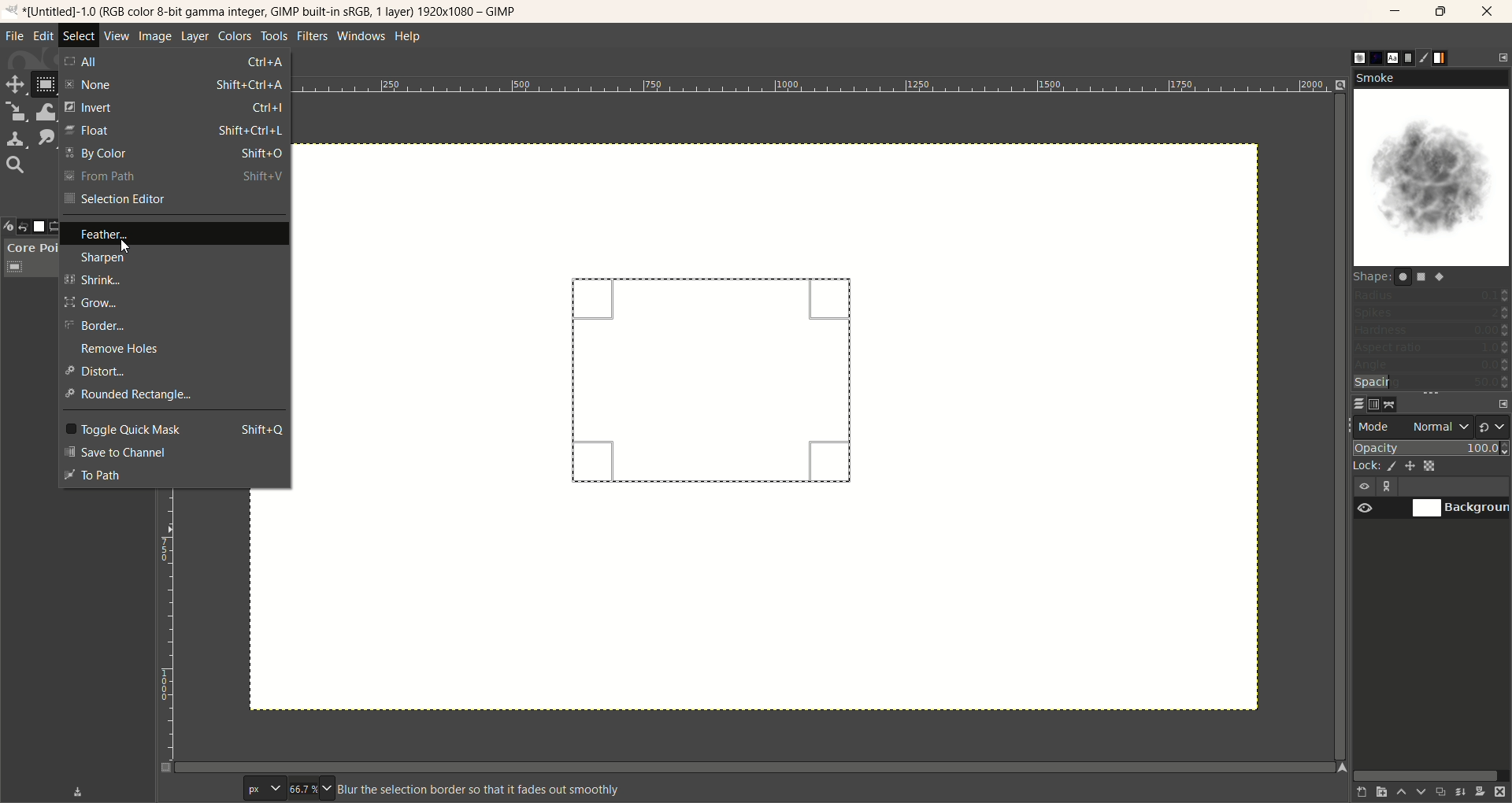 This screenshot has height=803, width=1512. What do you see at coordinates (195, 36) in the screenshot?
I see `layer` at bounding box center [195, 36].